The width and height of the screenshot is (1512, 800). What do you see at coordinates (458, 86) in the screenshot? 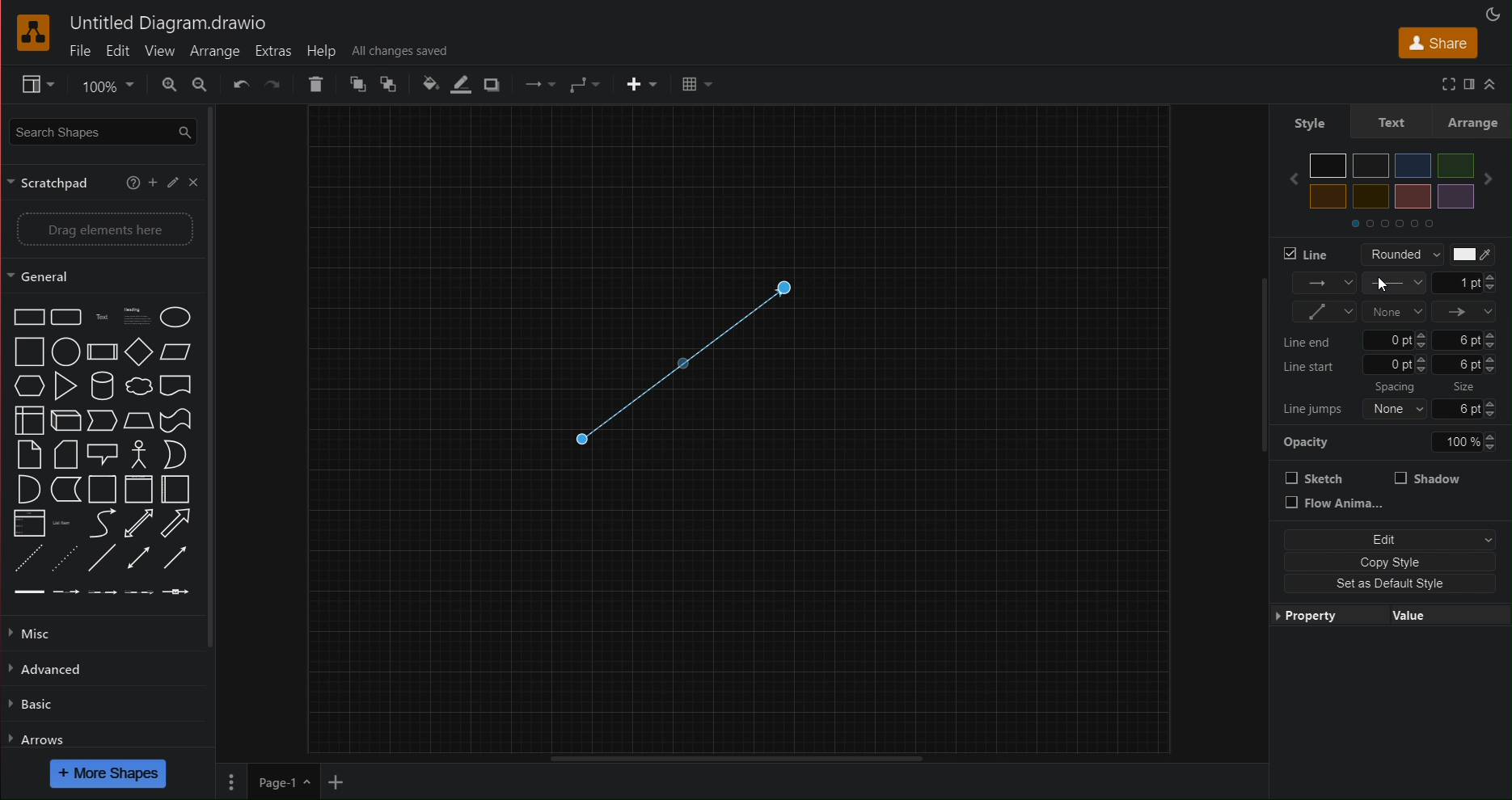
I see `Line Color` at bounding box center [458, 86].